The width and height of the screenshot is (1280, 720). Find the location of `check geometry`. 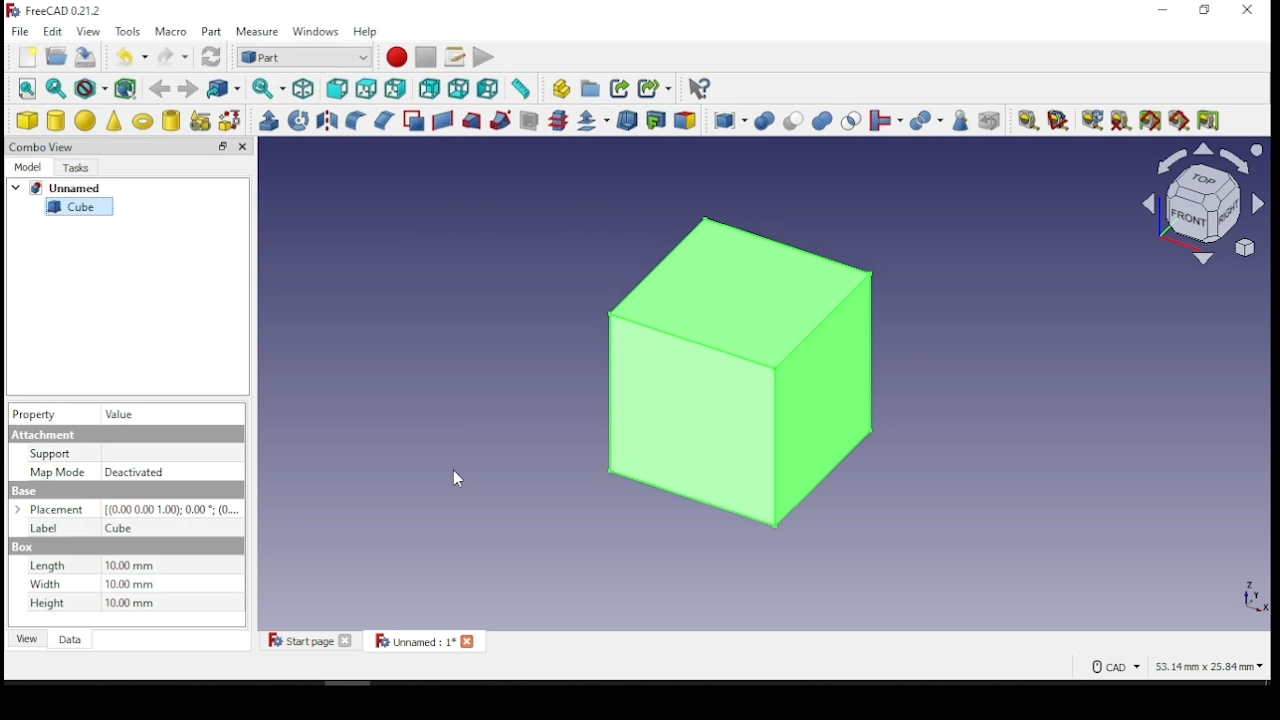

check geometry is located at coordinates (962, 121).